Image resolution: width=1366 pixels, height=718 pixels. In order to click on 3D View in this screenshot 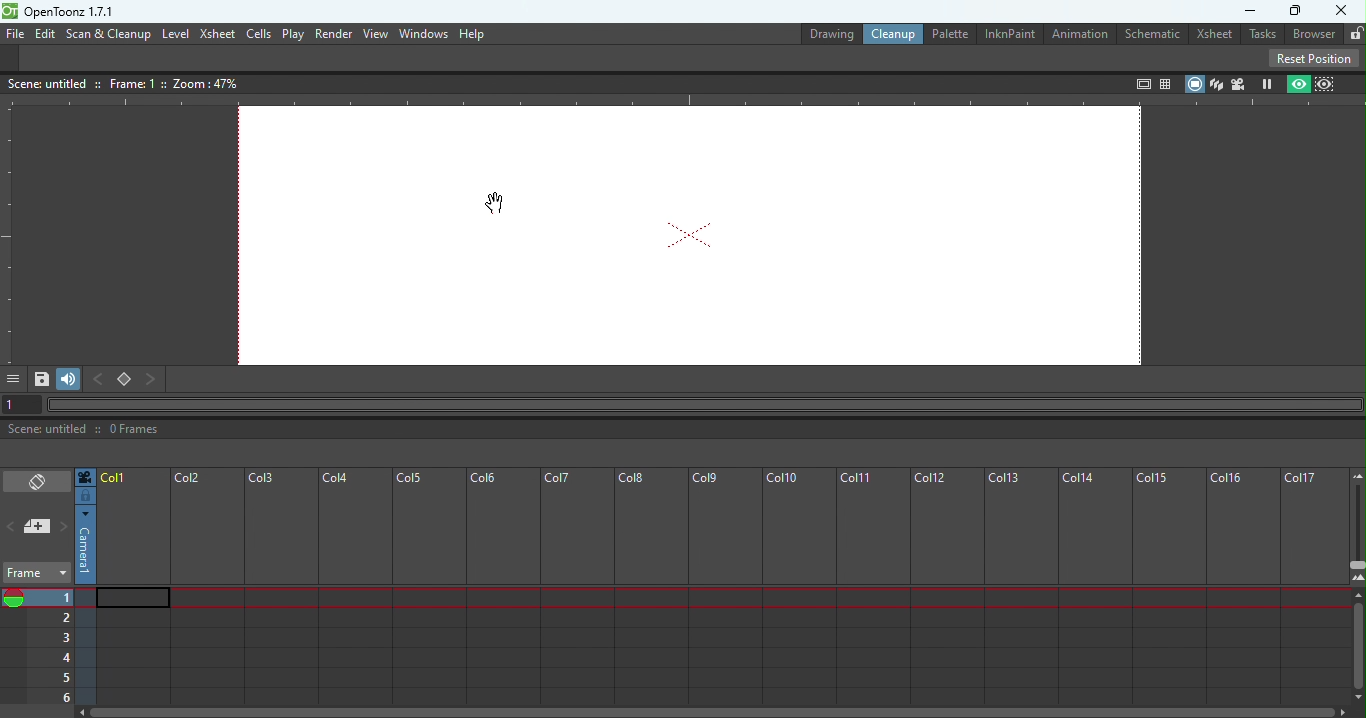, I will do `click(1215, 82)`.